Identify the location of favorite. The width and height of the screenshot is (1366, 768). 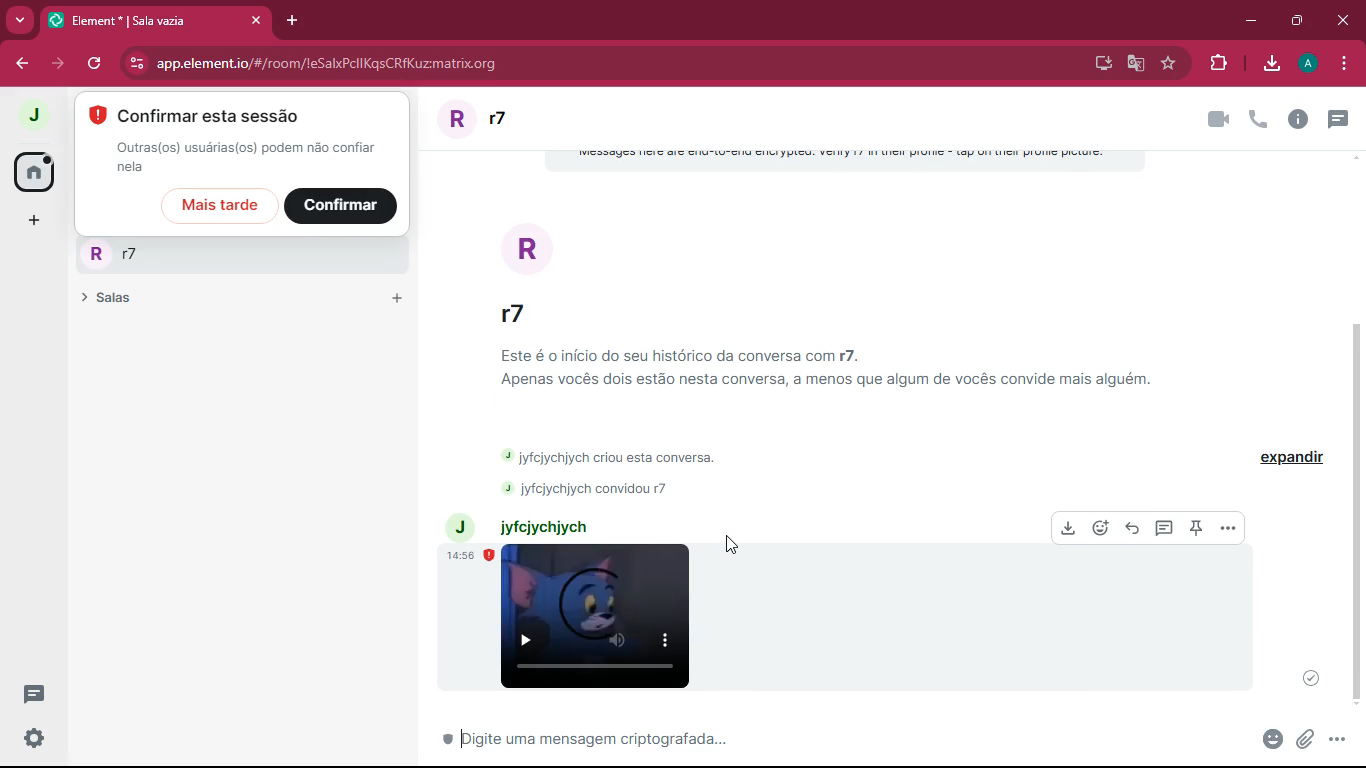
(1169, 64).